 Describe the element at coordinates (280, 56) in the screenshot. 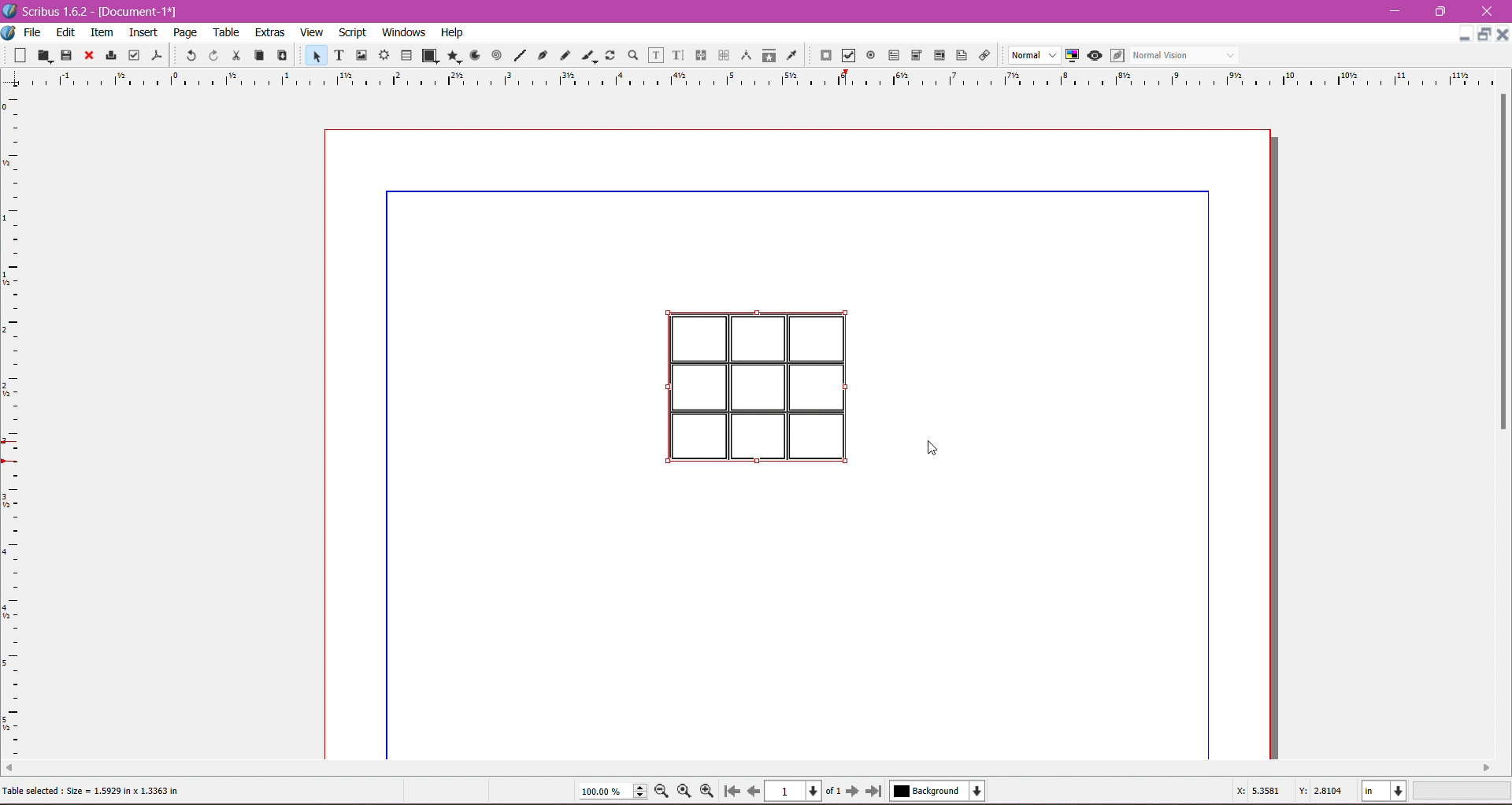

I see `Paste` at that location.